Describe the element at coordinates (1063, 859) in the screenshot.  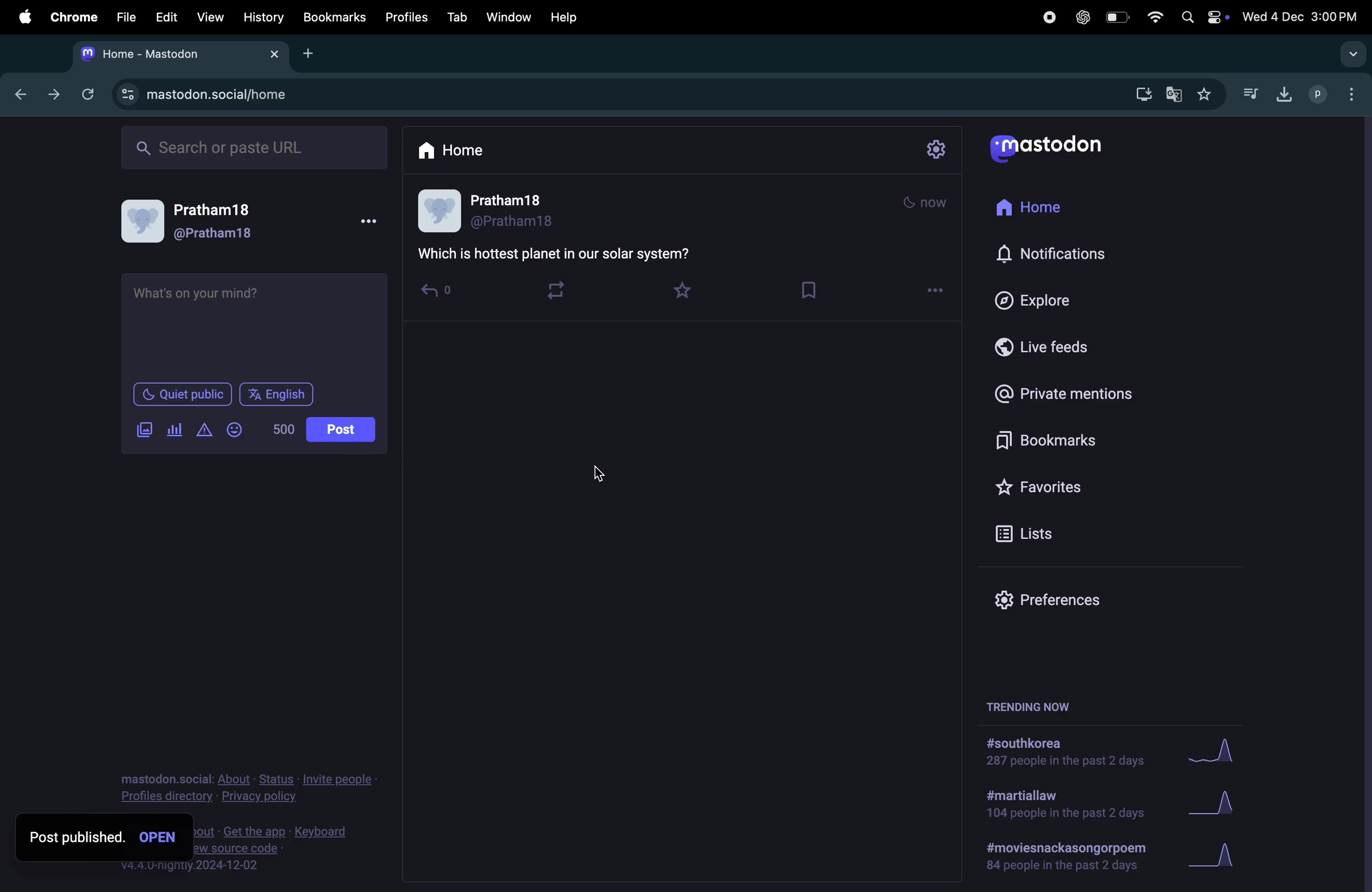
I see `#movies and poem` at that location.